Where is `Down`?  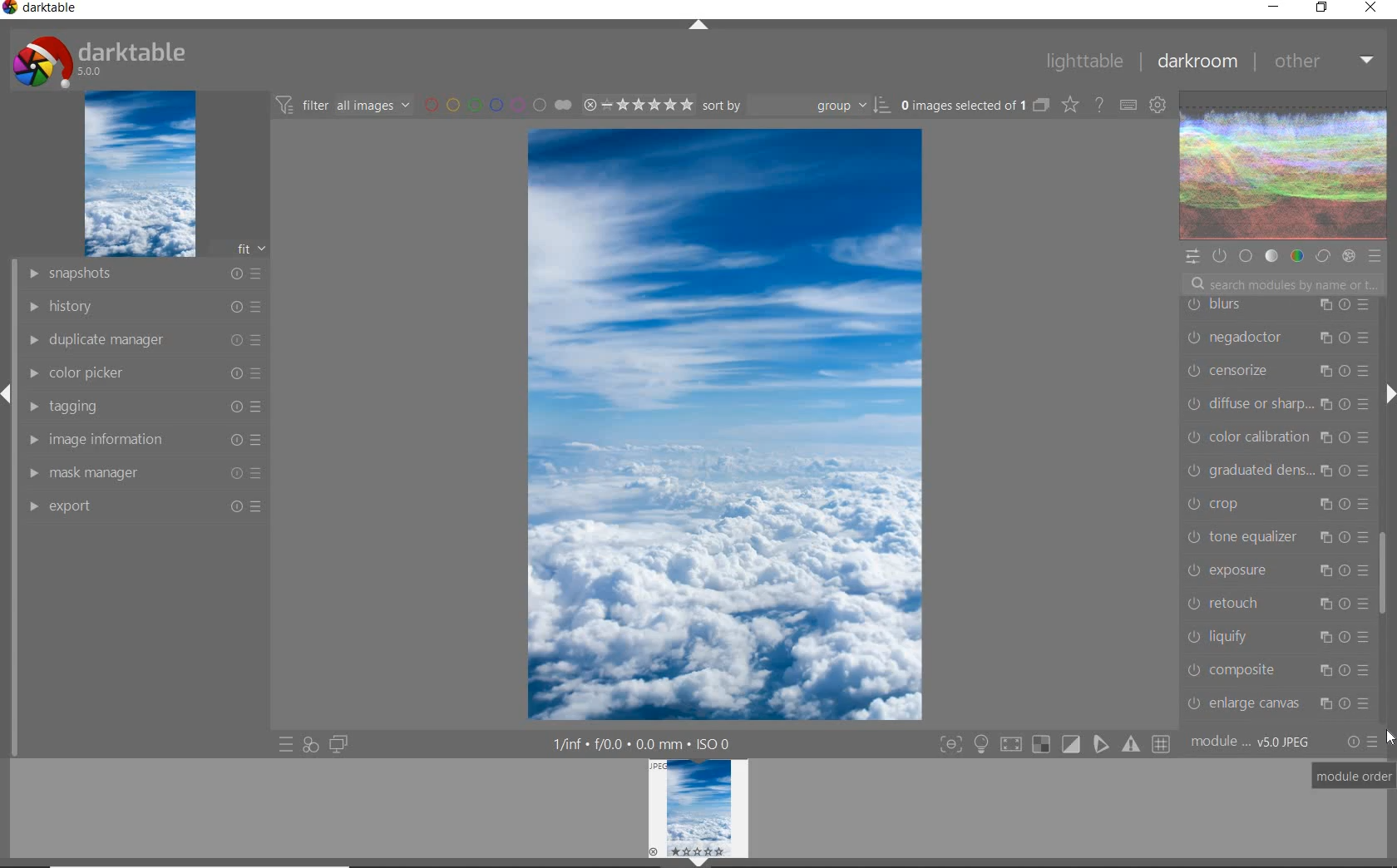 Down is located at coordinates (699, 862).